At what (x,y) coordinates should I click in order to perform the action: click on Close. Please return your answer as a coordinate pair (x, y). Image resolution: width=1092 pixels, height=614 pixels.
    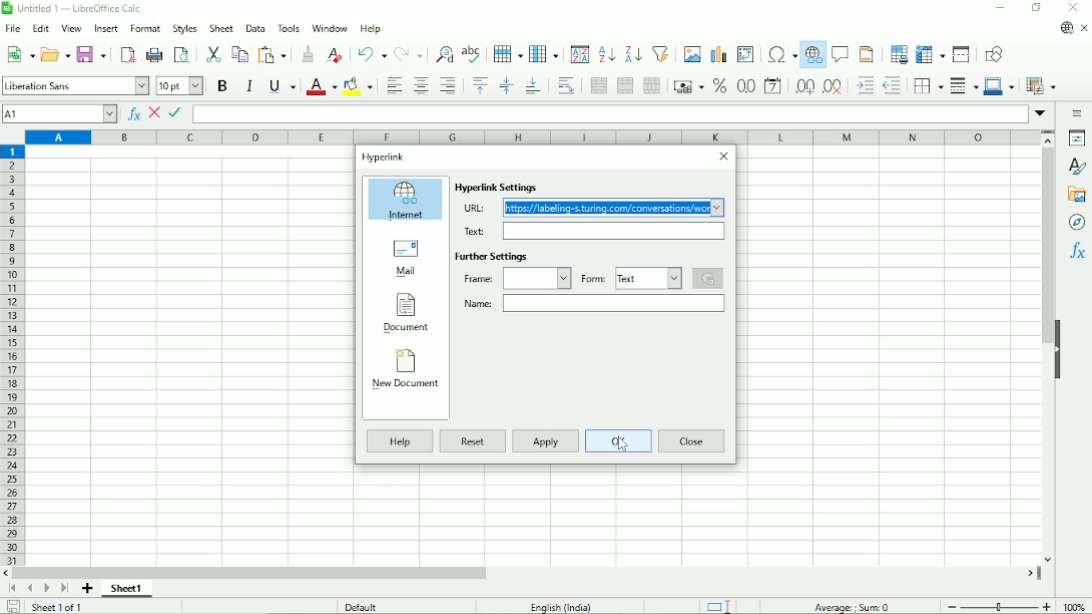
    Looking at the image, I should click on (1075, 8).